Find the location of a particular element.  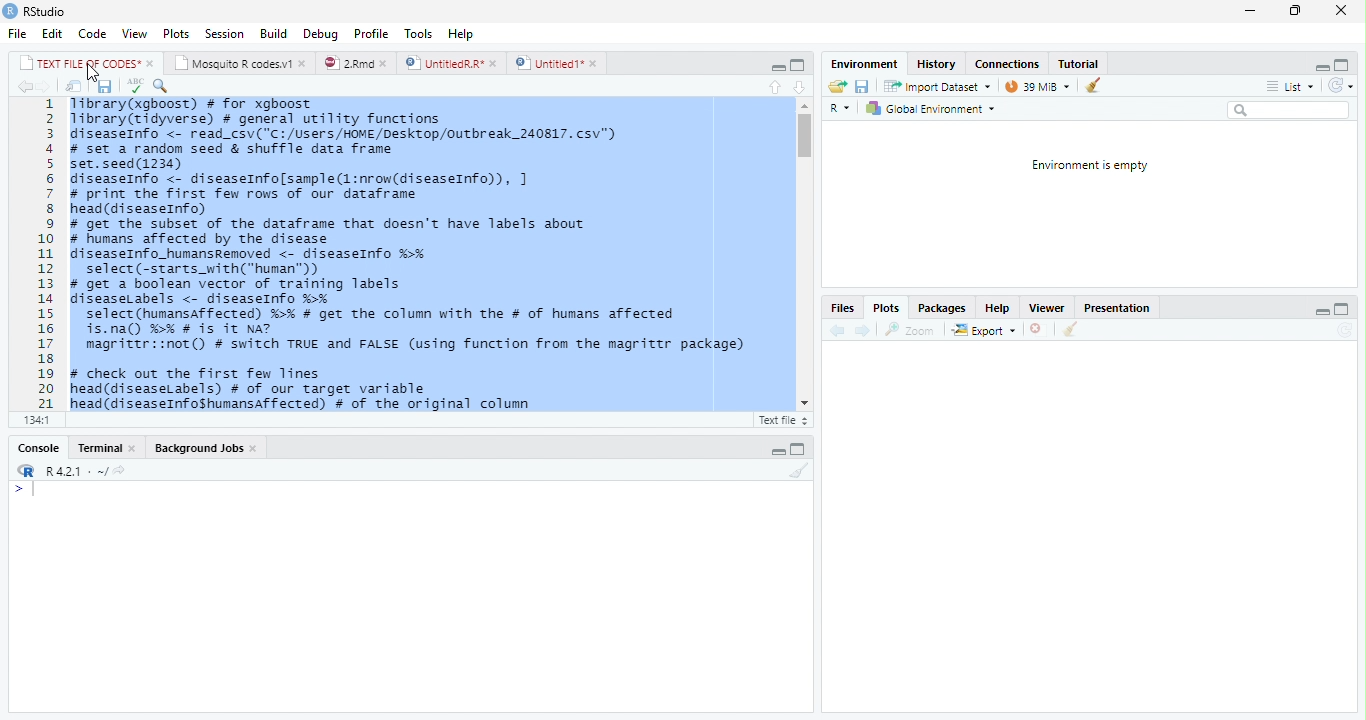

Plots is located at coordinates (885, 308).